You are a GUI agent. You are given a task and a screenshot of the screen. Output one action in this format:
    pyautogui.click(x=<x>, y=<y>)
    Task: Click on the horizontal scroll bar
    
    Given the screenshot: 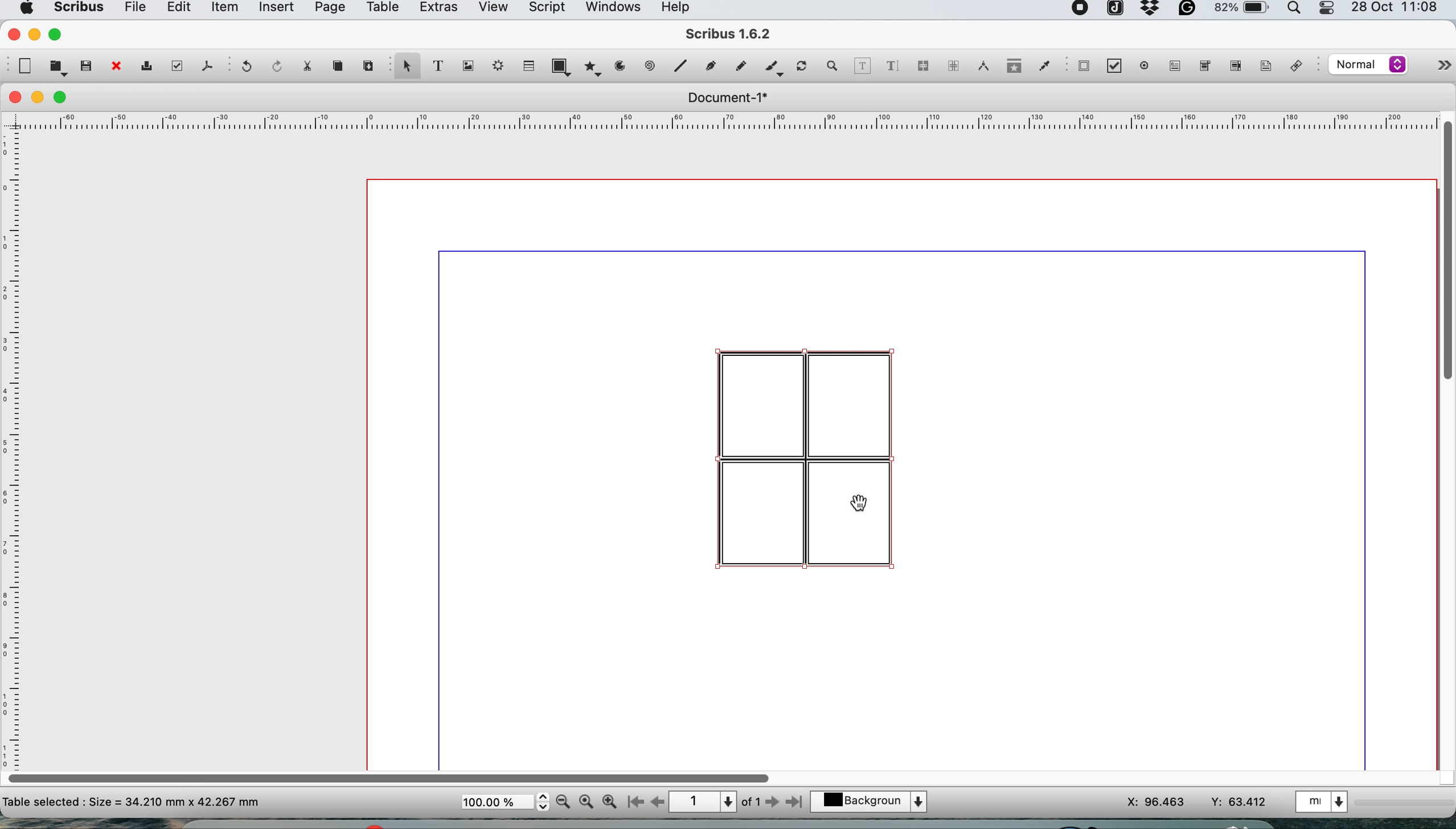 What is the action you would take?
    pyautogui.click(x=392, y=774)
    